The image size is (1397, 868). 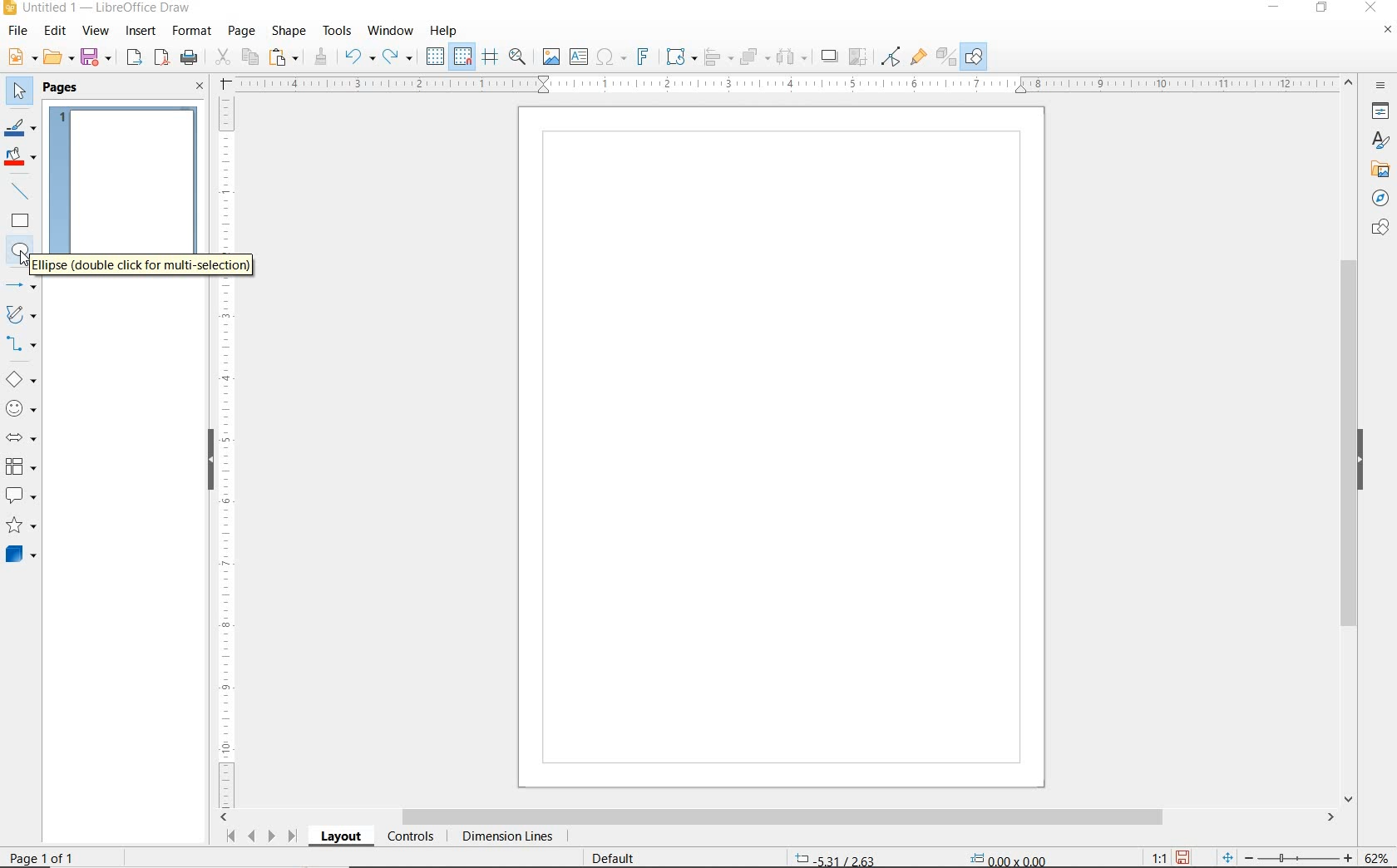 I want to click on FILL COLOR, so click(x=22, y=158).